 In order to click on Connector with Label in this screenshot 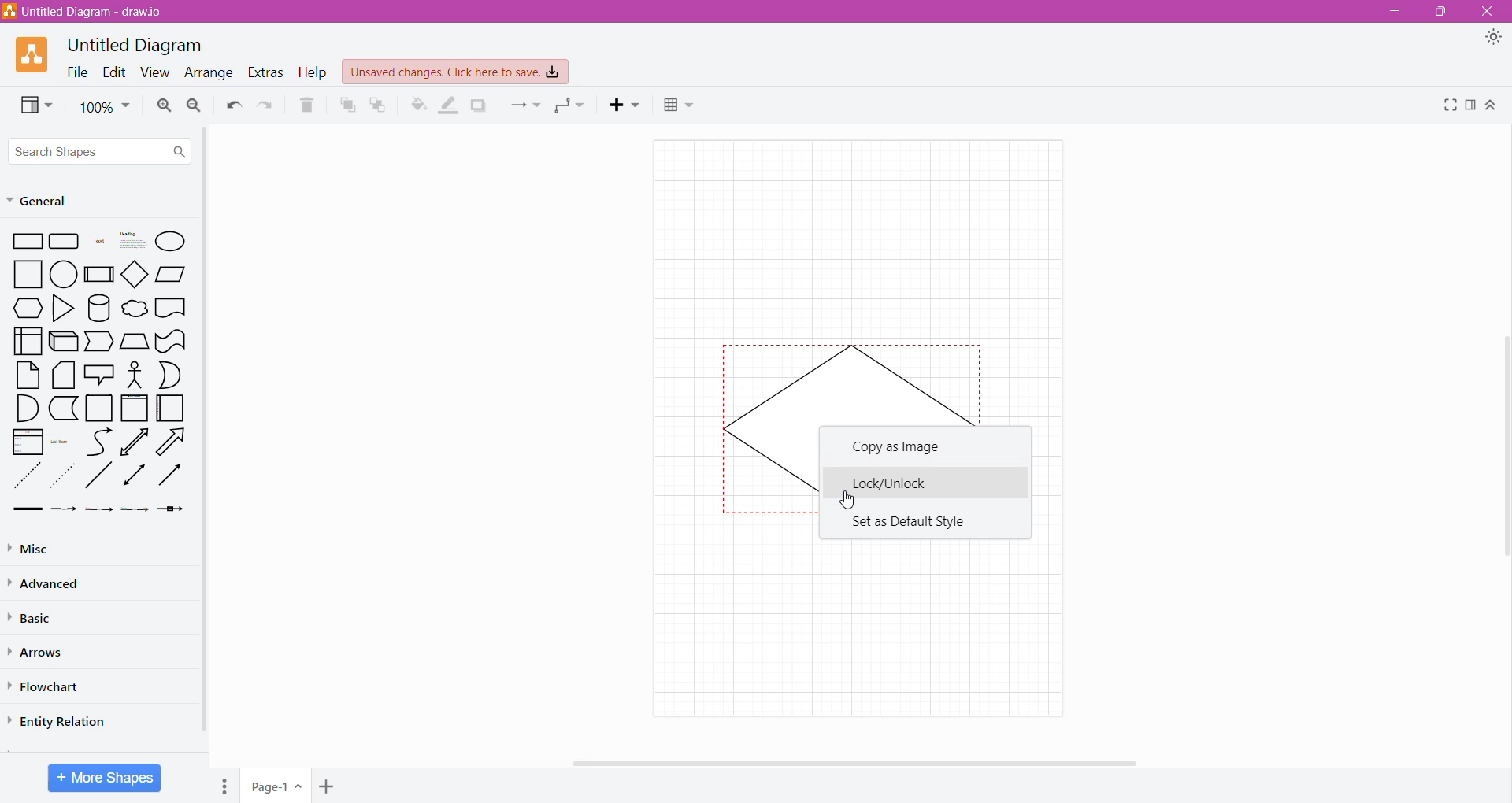, I will do `click(65, 510)`.